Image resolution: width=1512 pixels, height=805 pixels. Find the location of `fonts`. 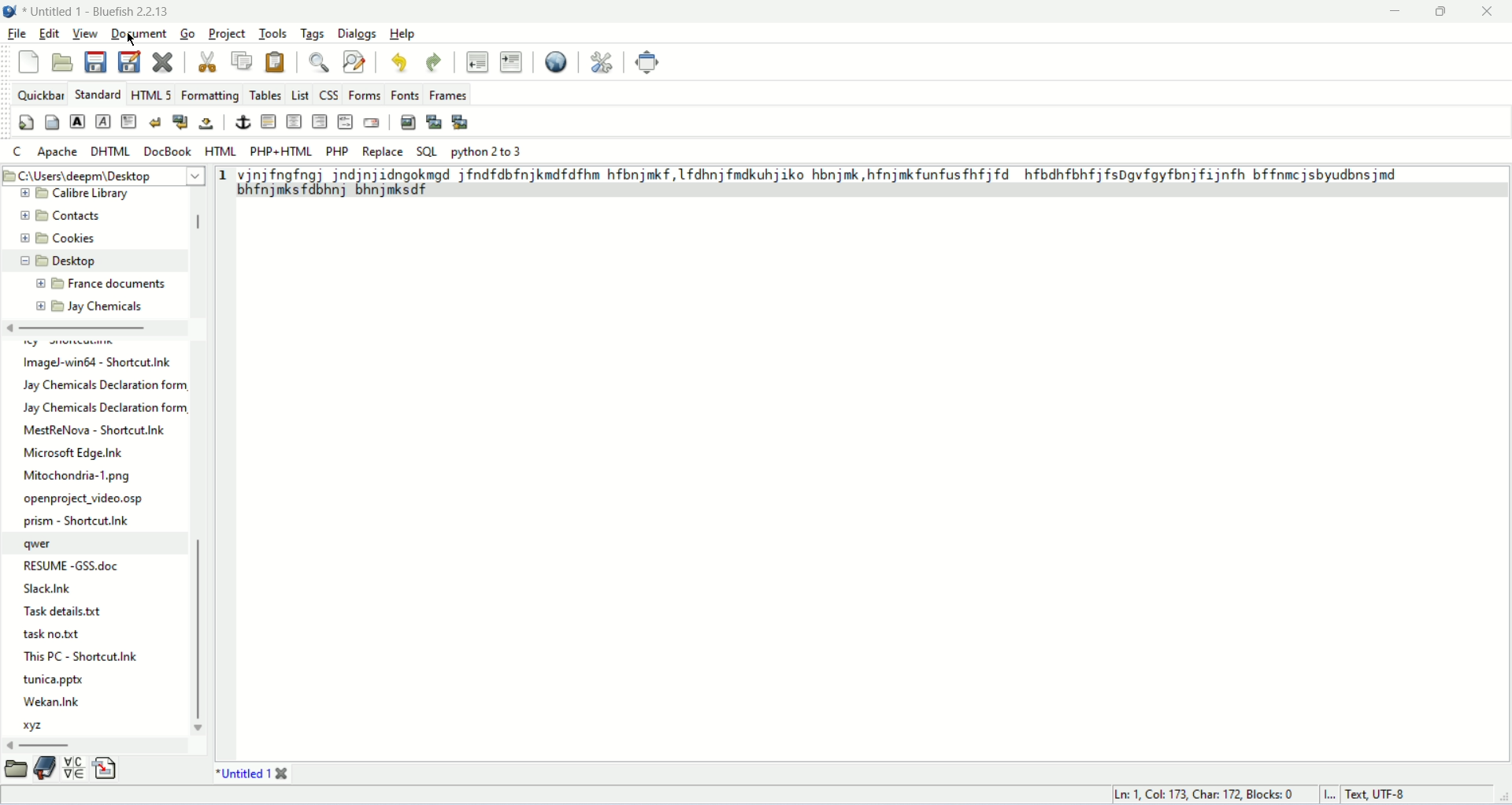

fonts is located at coordinates (405, 95).